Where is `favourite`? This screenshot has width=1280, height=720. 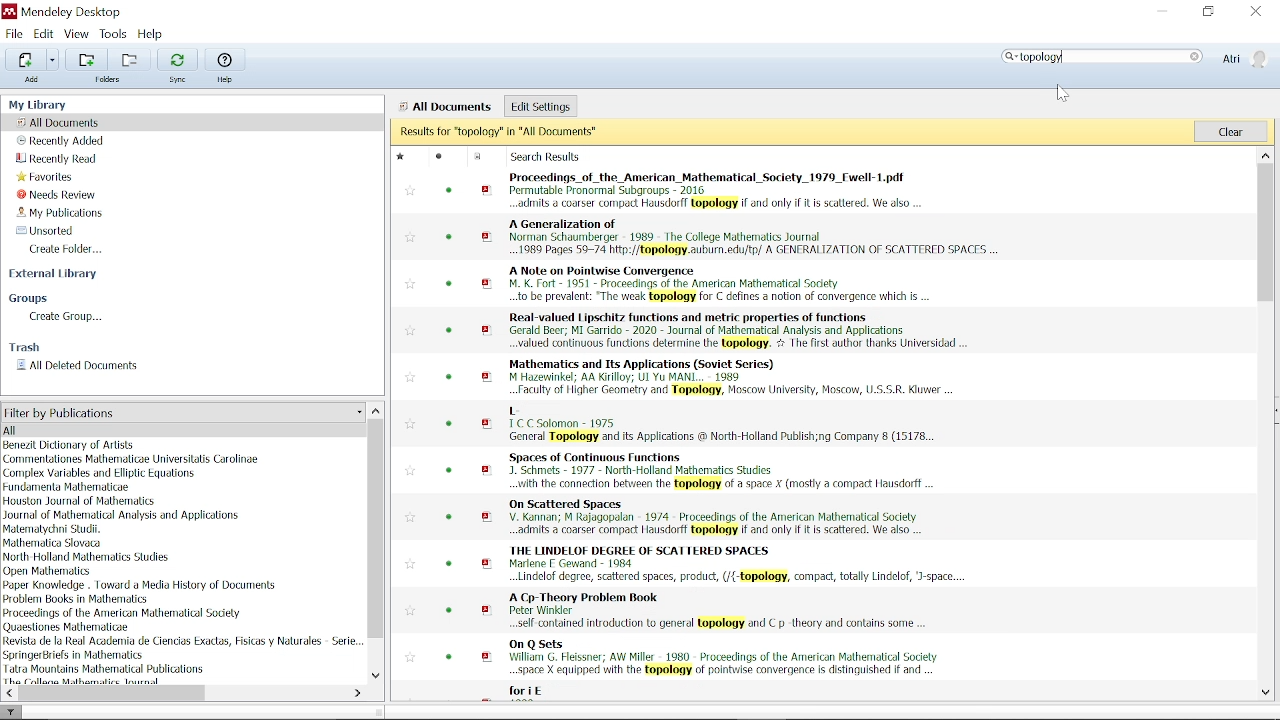
favourite is located at coordinates (410, 658).